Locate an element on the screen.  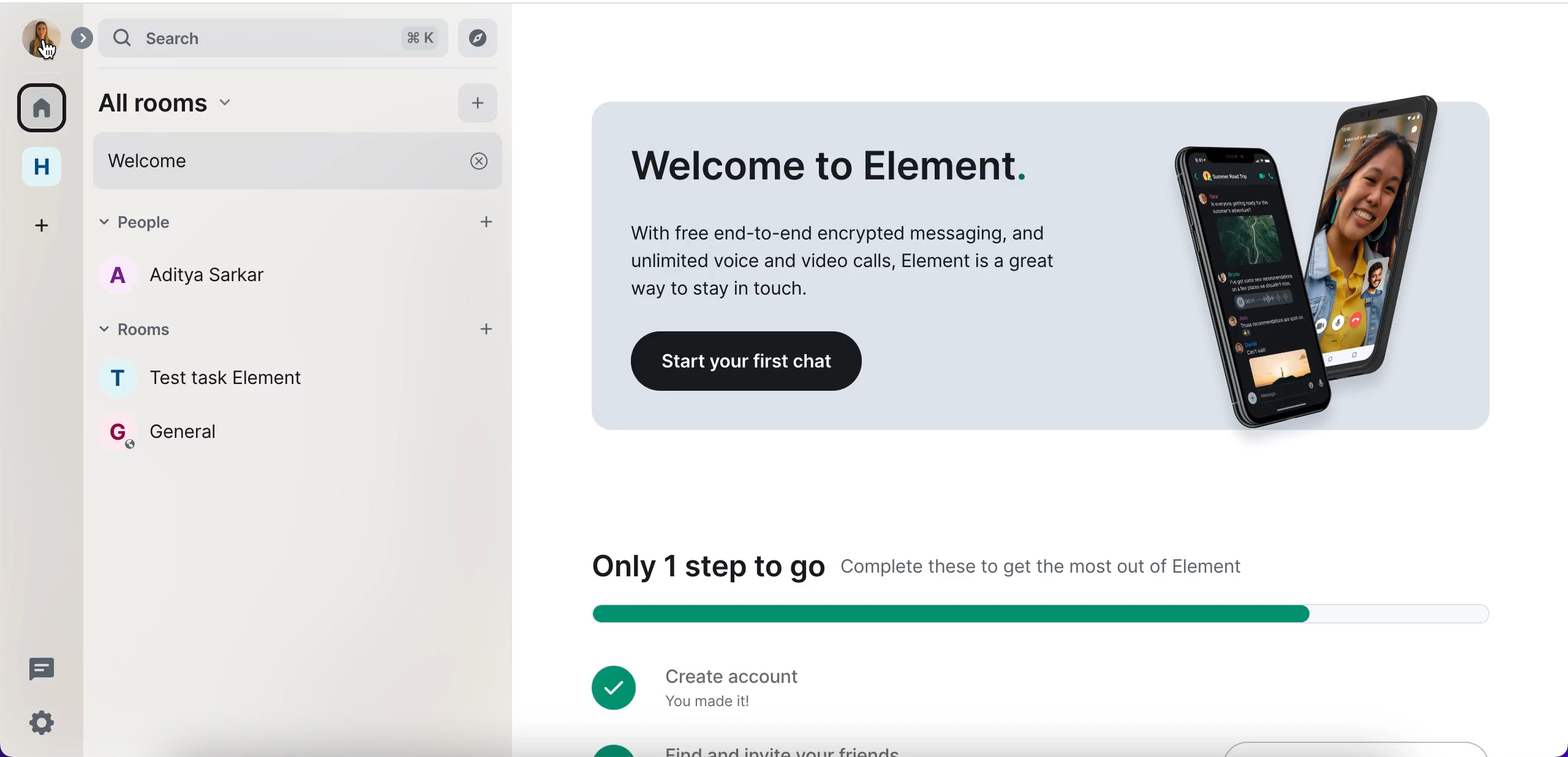
add is located at coordinates (480, 104).